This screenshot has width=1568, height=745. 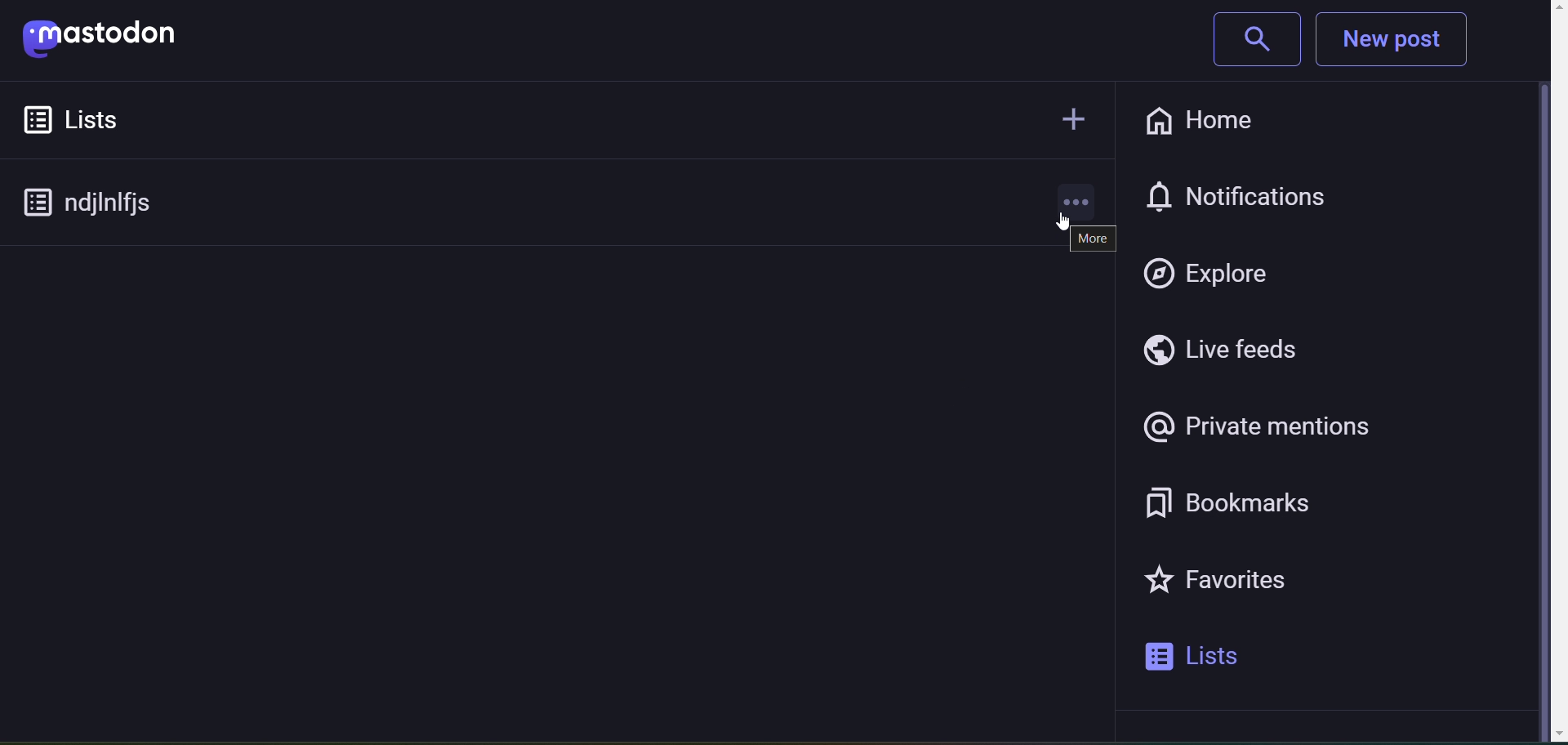 I want to click on search bar, so click(x=1248, y=42).